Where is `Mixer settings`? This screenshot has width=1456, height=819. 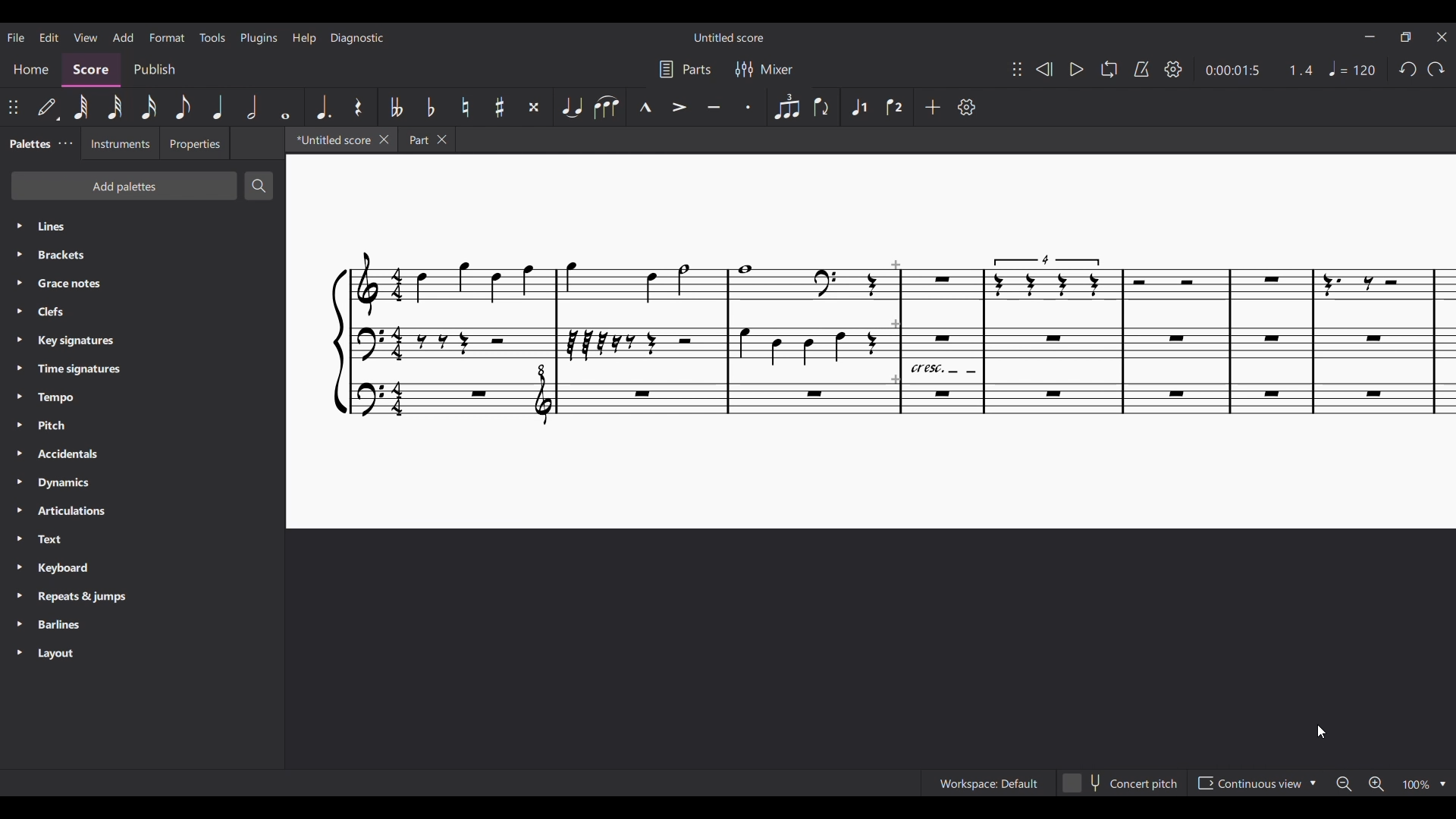
Mixer settings is located at coordinates (764, 69).